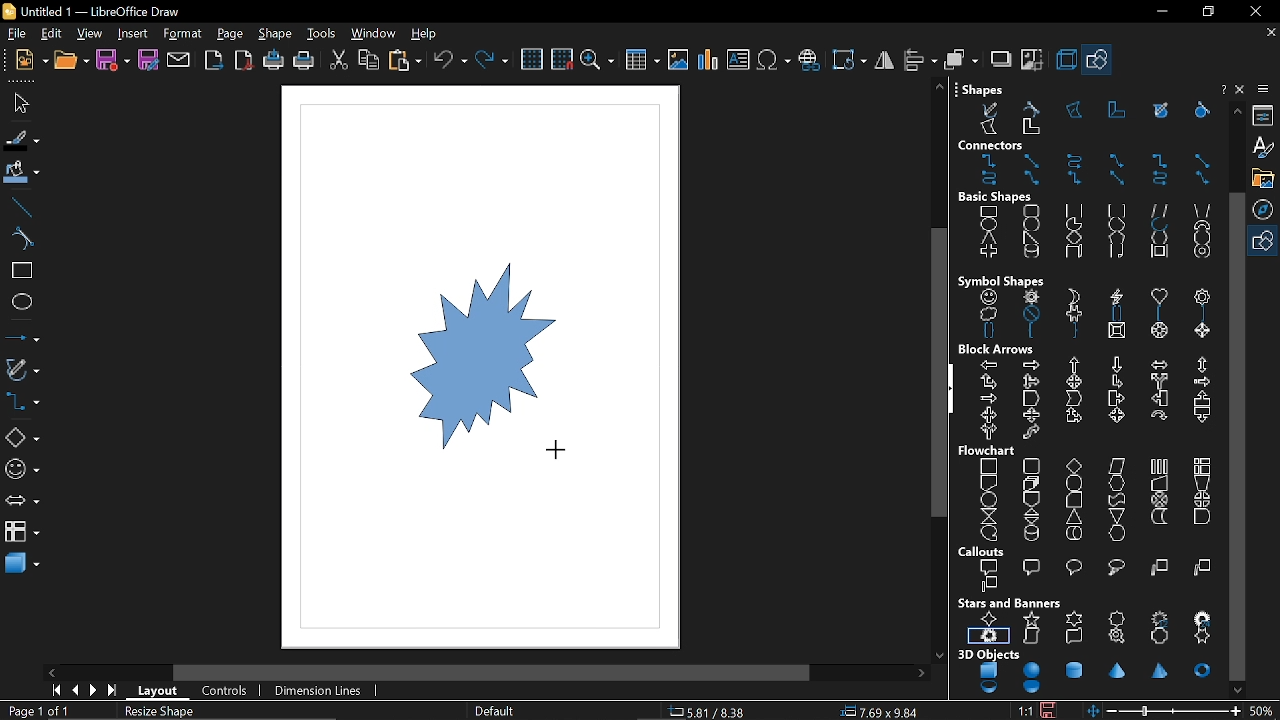  I want to click on EDit, so click(52, 34).